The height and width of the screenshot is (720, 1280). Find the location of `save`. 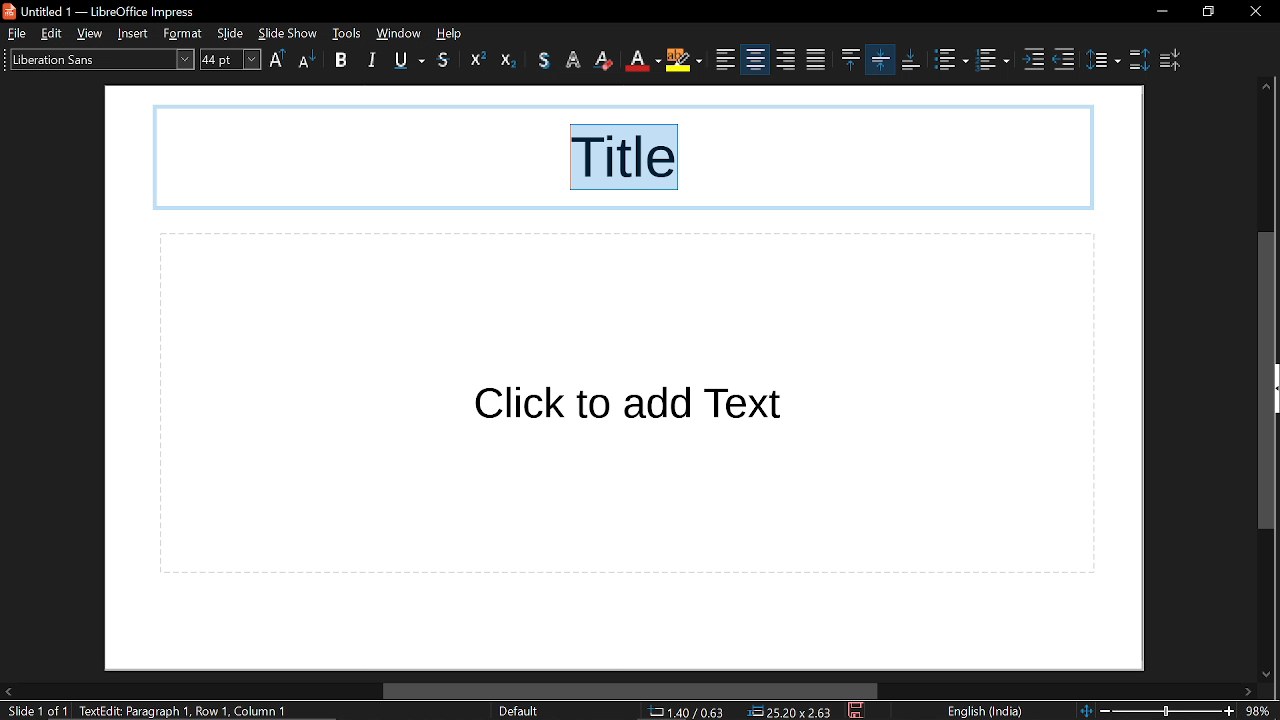

save is located at coordinates (858, 712).